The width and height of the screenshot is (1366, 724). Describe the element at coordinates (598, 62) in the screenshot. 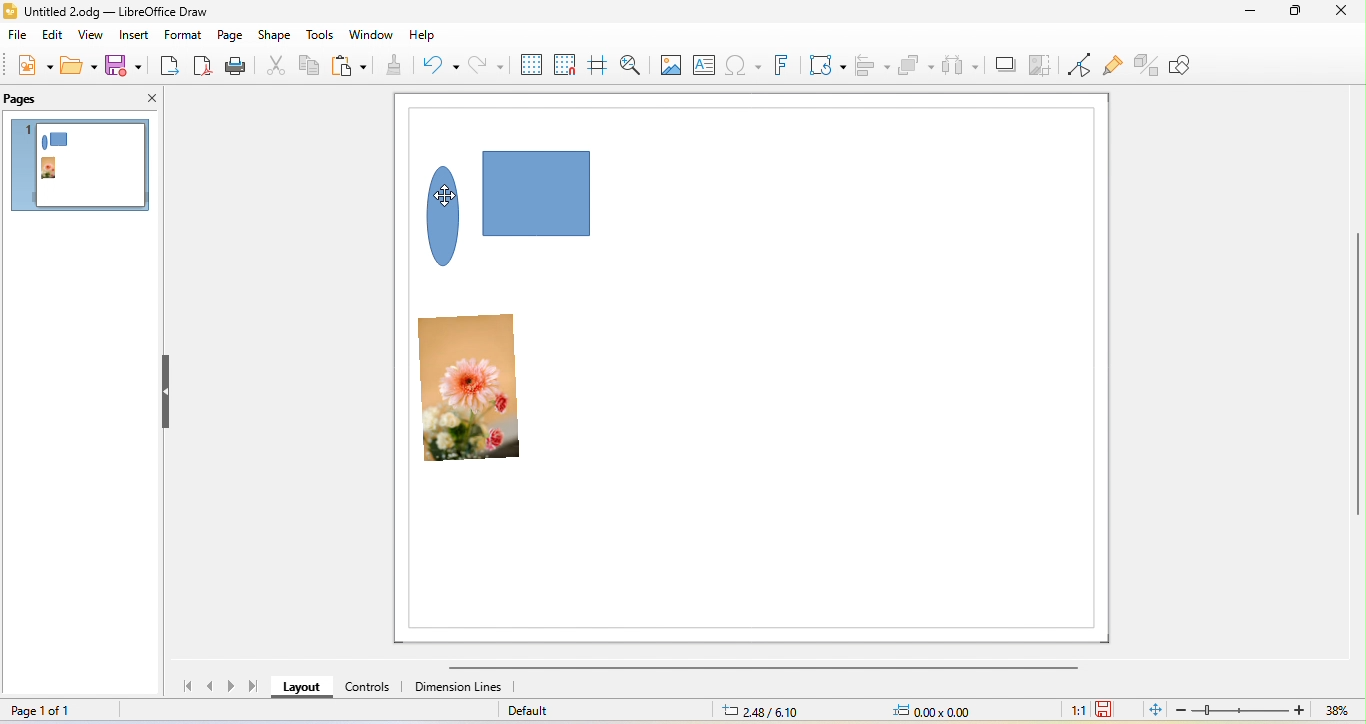

I see `helpline while moving` at that location.